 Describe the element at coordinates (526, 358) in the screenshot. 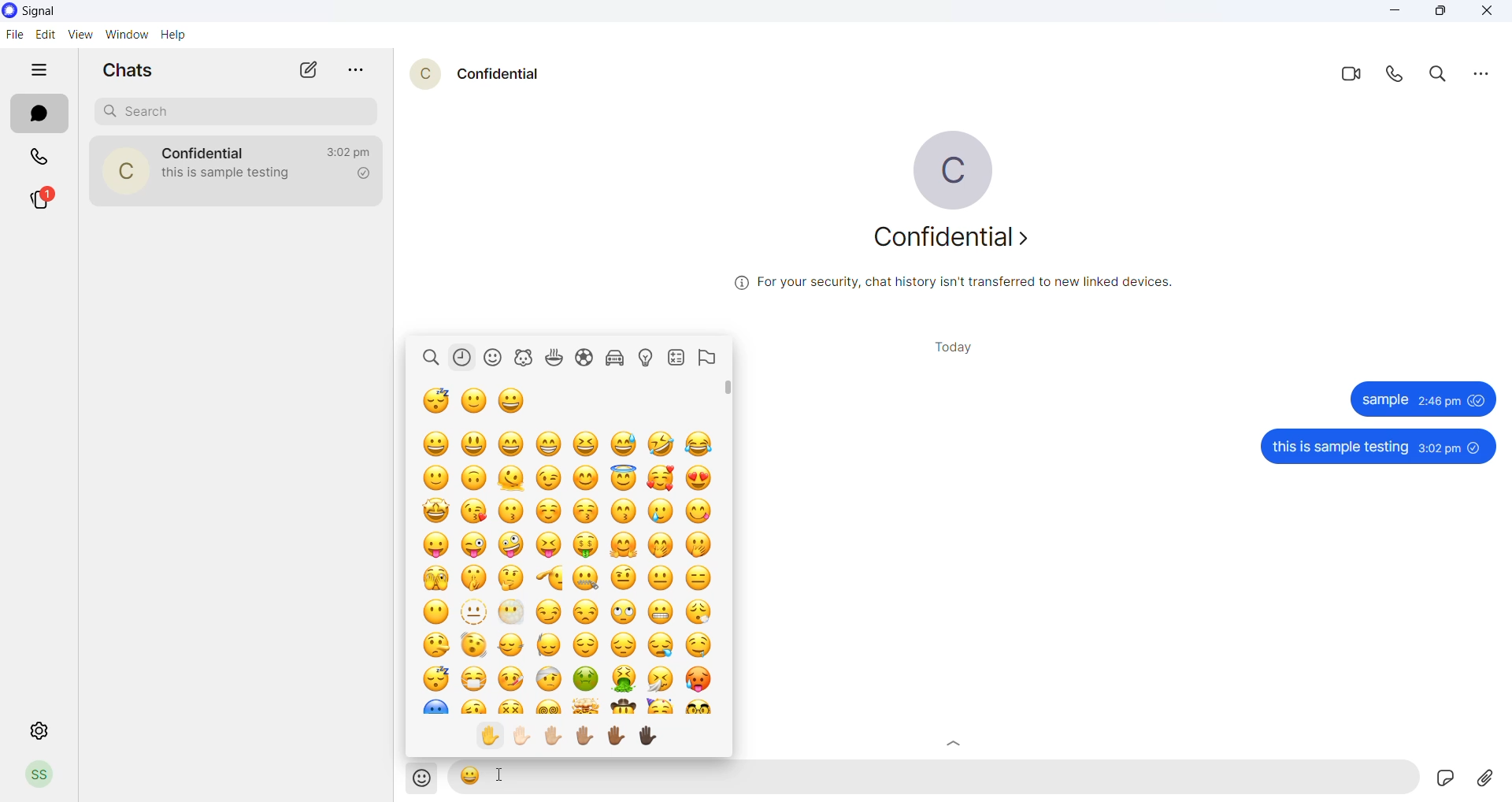

I see `animal emojis` at that location.